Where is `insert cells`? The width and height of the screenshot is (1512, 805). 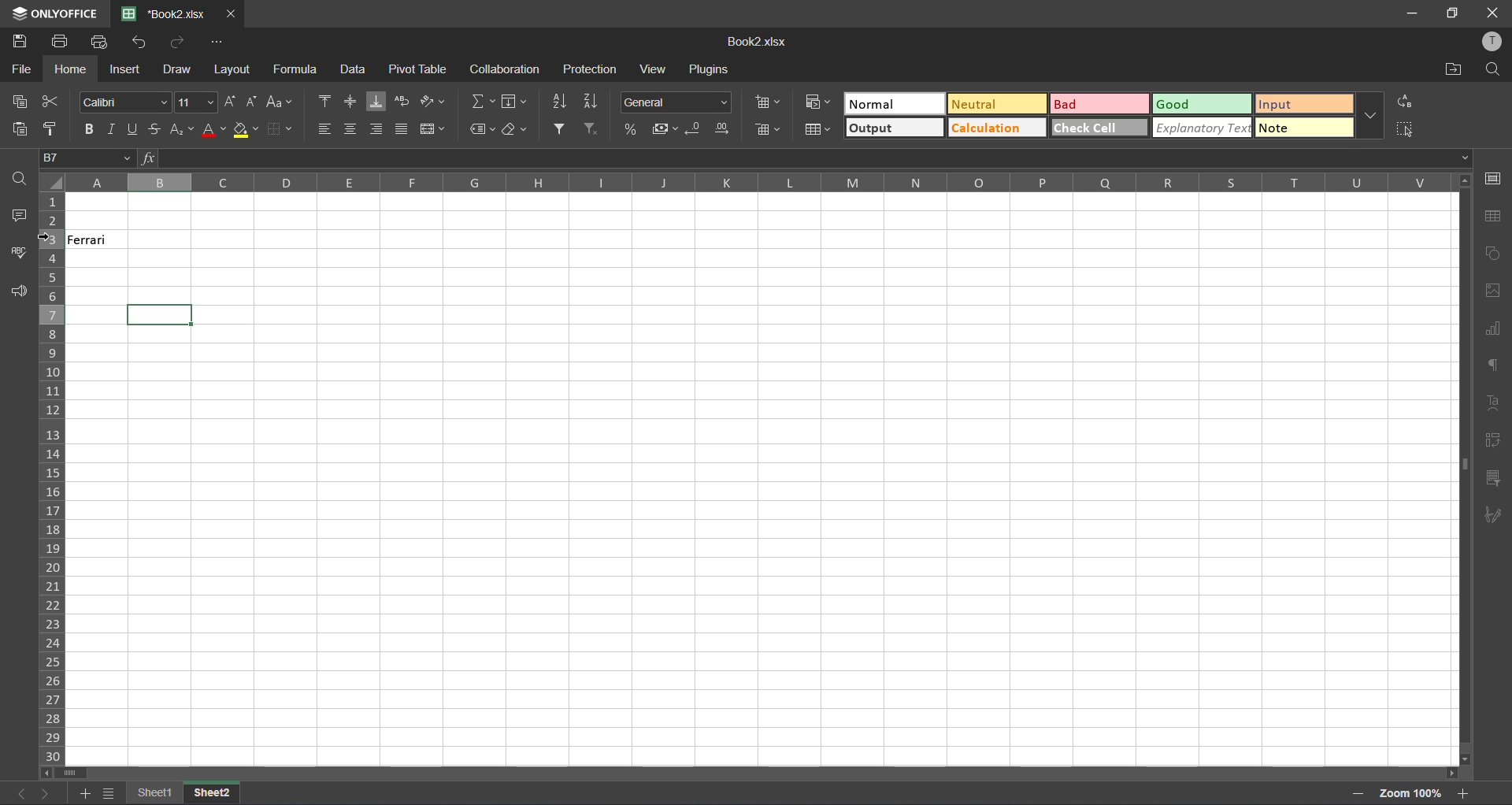 insert cells is located at coordinates (768, 98).